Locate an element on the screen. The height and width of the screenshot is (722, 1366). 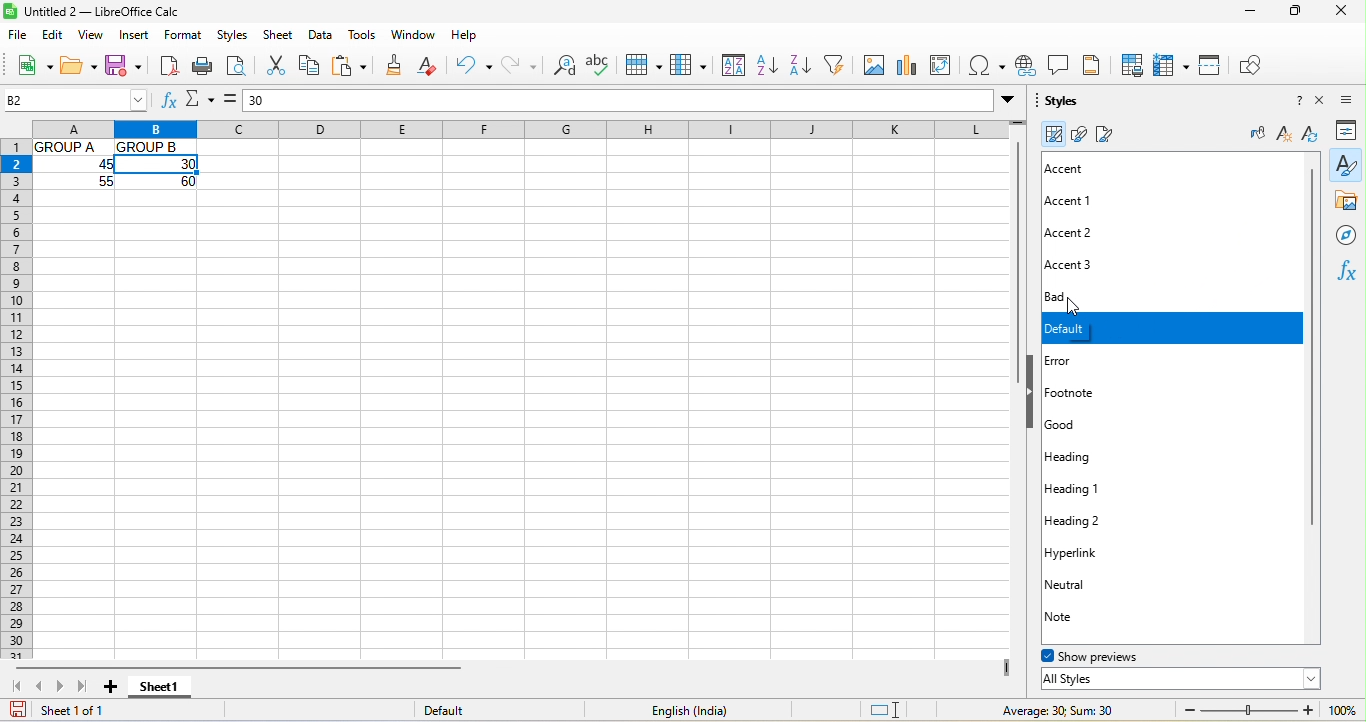
image is located at coordinates (874, 65).